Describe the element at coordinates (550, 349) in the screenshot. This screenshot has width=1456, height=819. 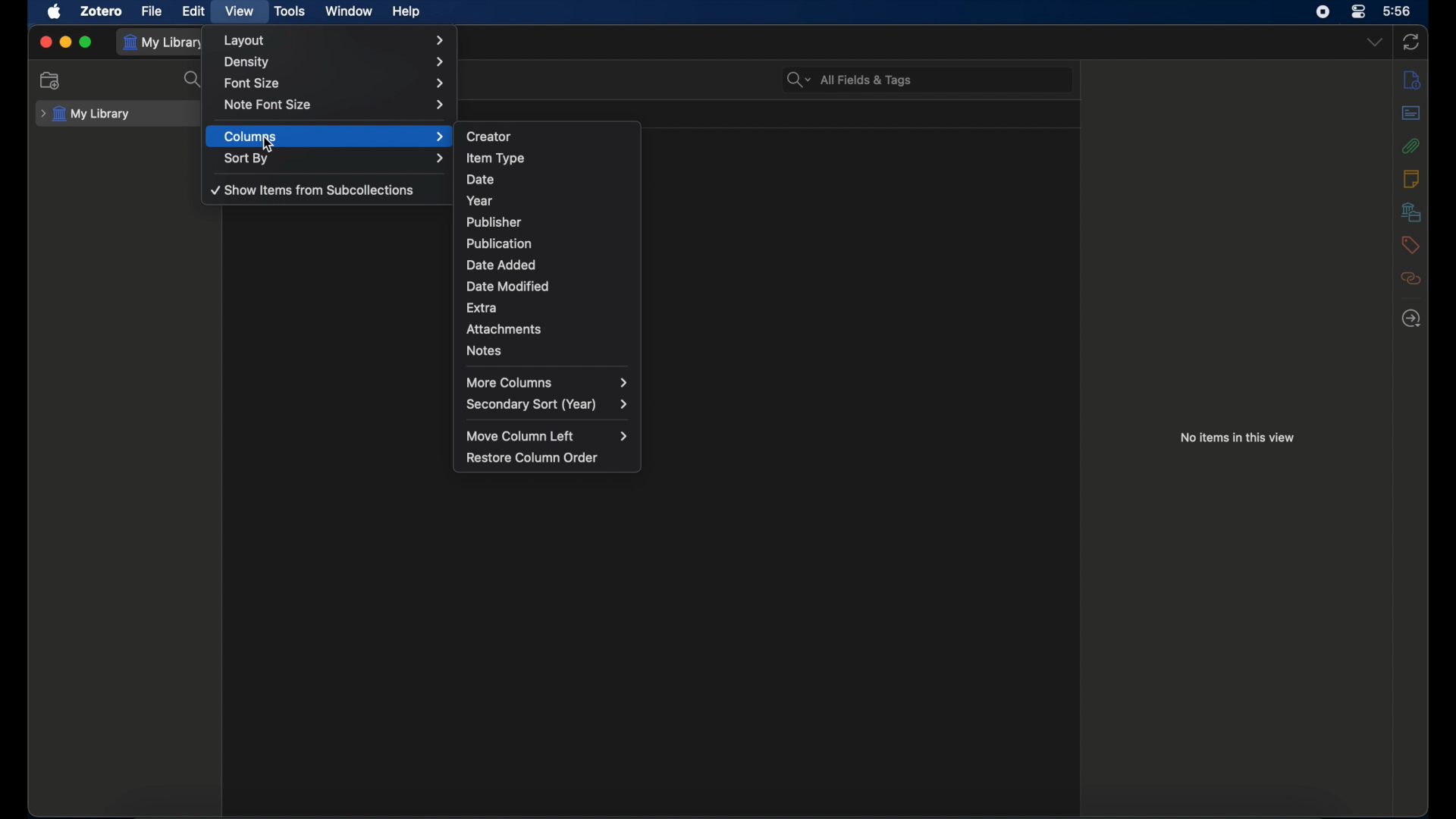
I see `notes` at that location.